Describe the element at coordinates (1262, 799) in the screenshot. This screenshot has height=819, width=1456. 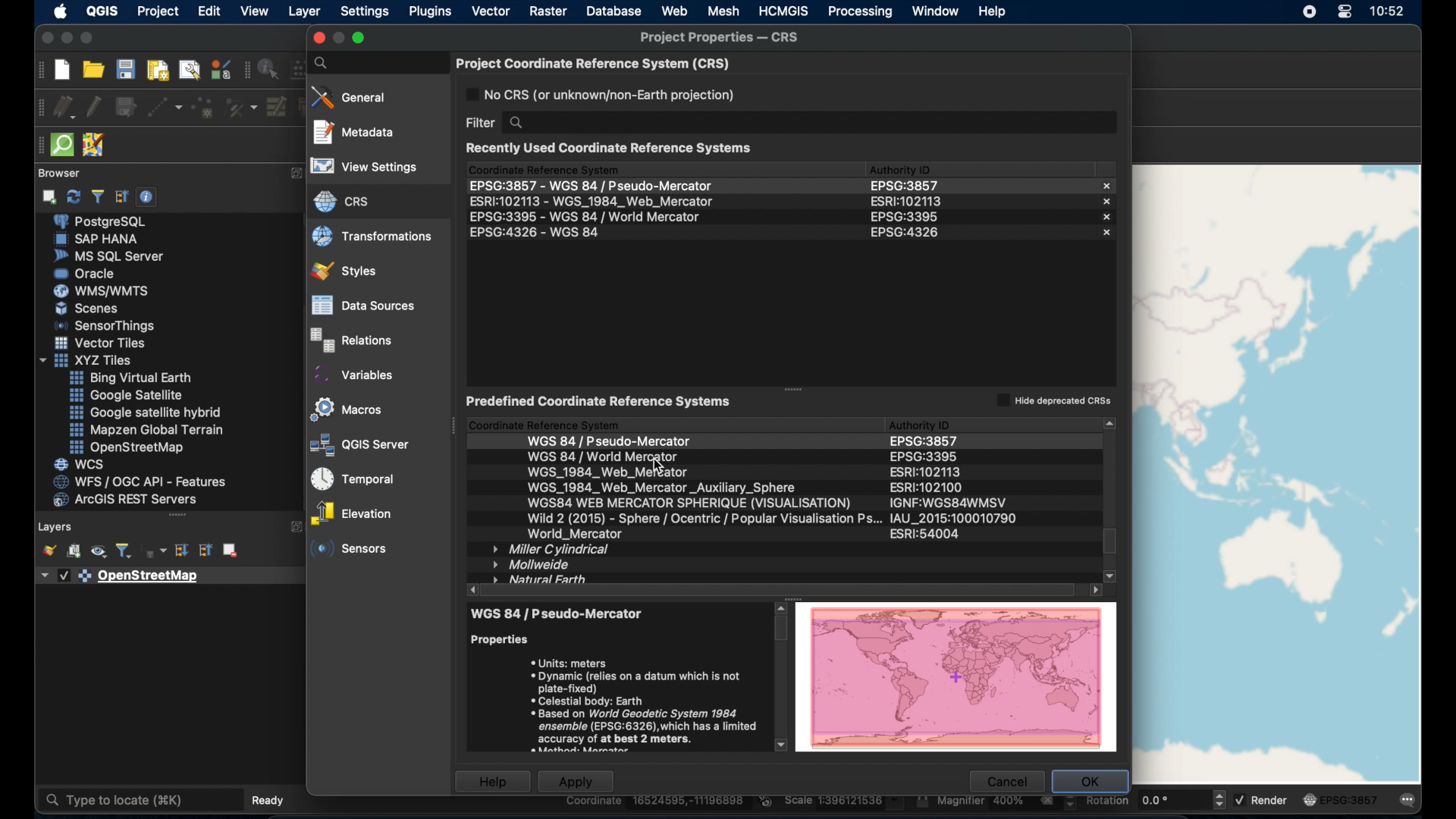
I see `render` at that location.